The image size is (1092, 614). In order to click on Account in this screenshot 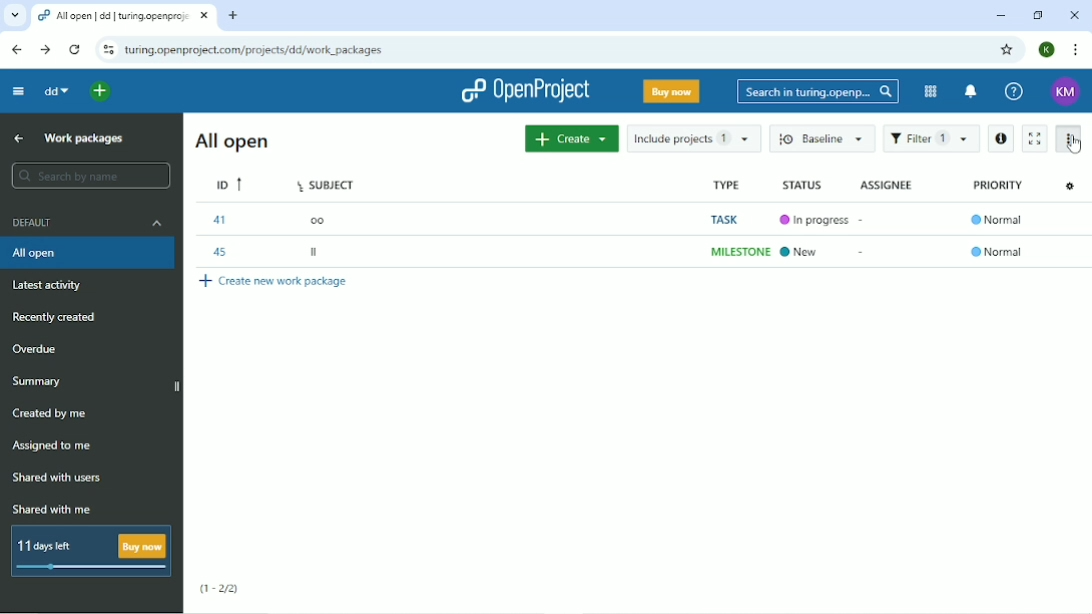, I will do `click(1063, 90)`.